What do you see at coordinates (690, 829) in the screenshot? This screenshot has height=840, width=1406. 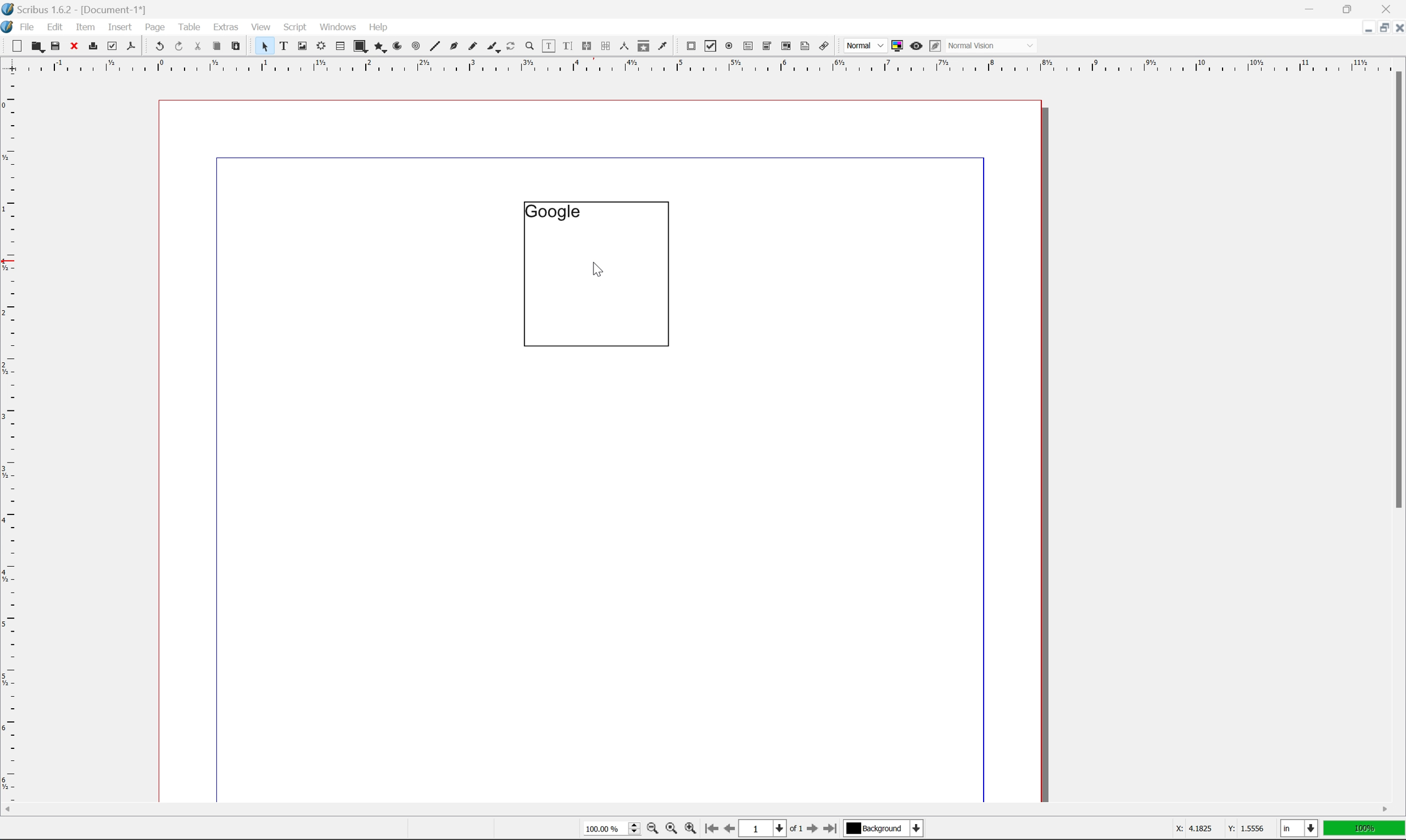 I see `zoom in` at bounding box center [690, 829].